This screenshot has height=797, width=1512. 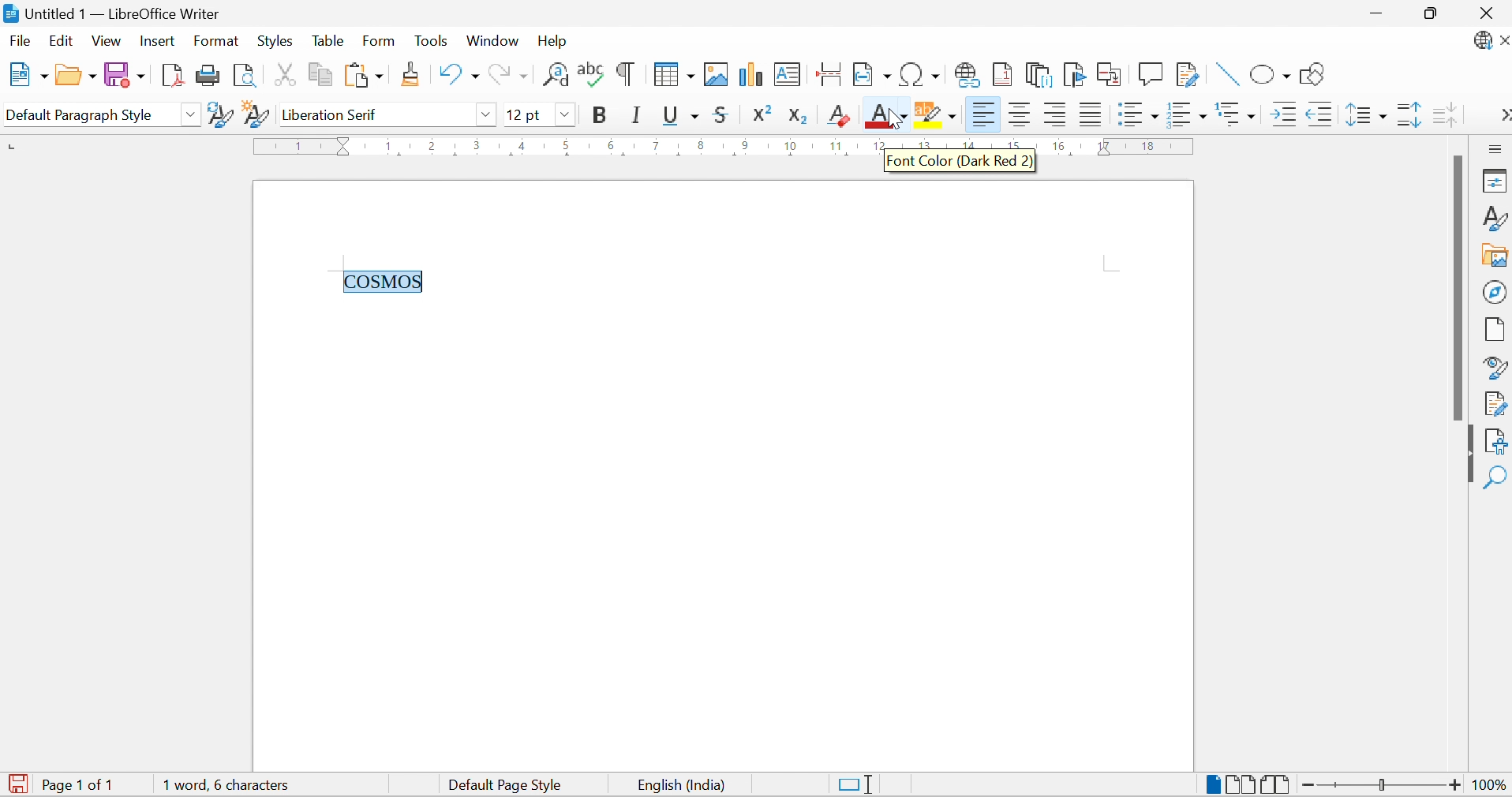 I want to click on Zoom In, so click(x=1454, y=787).